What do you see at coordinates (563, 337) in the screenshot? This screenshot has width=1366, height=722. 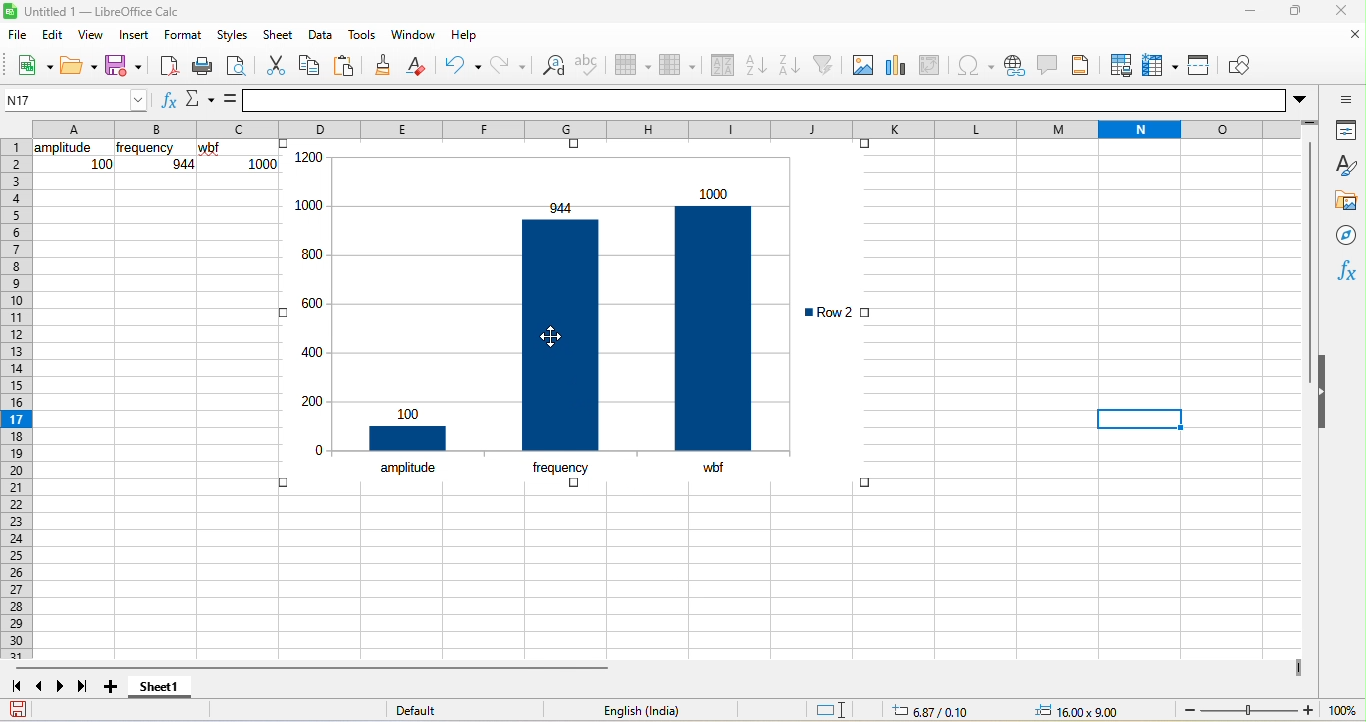 I see `cursor` at bounding box center [563, 337].